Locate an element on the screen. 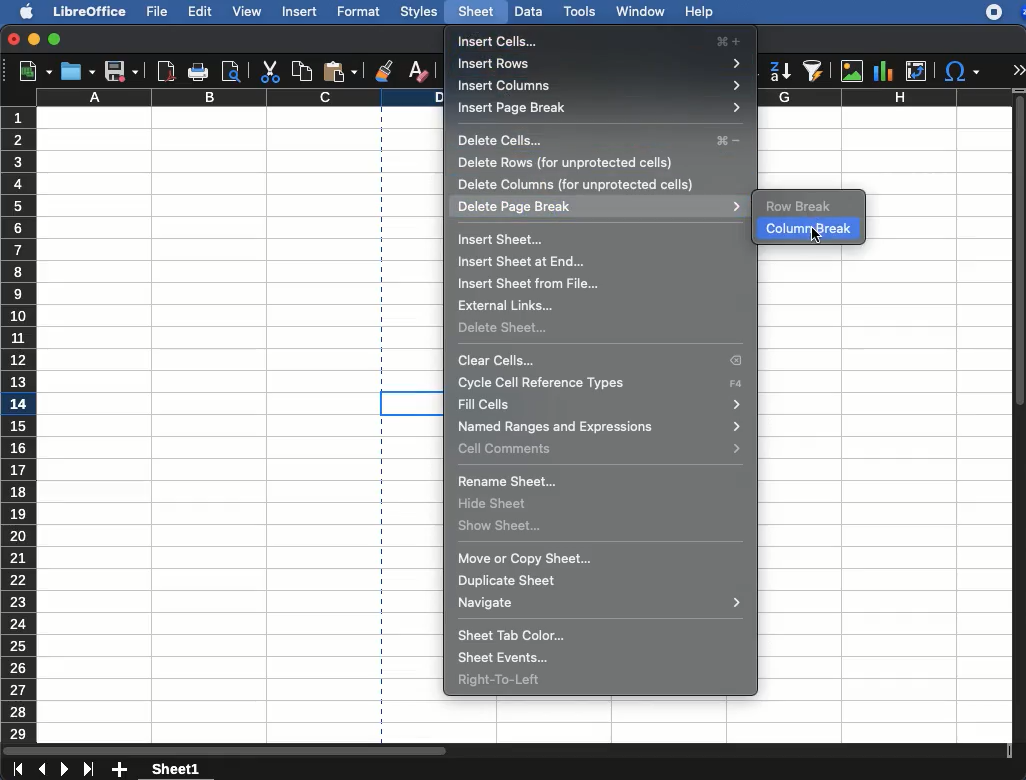 Image resolution: width=1026 pixels, height=780 pixels. delete sheet is located at coordinates (505, 328).